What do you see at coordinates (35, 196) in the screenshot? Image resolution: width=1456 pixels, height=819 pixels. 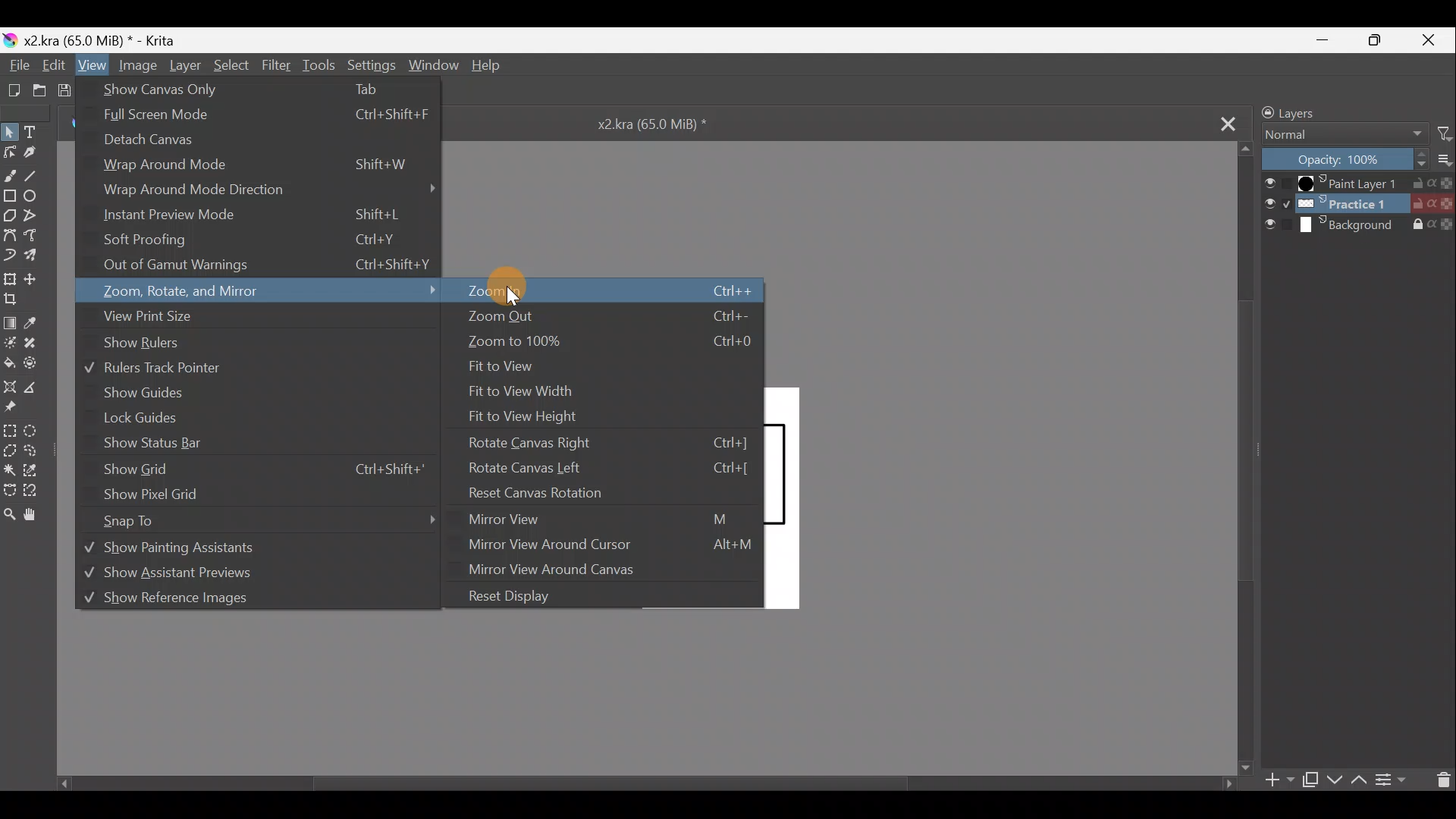 I see `Ellipse tool` at bounding box center [35, 196].